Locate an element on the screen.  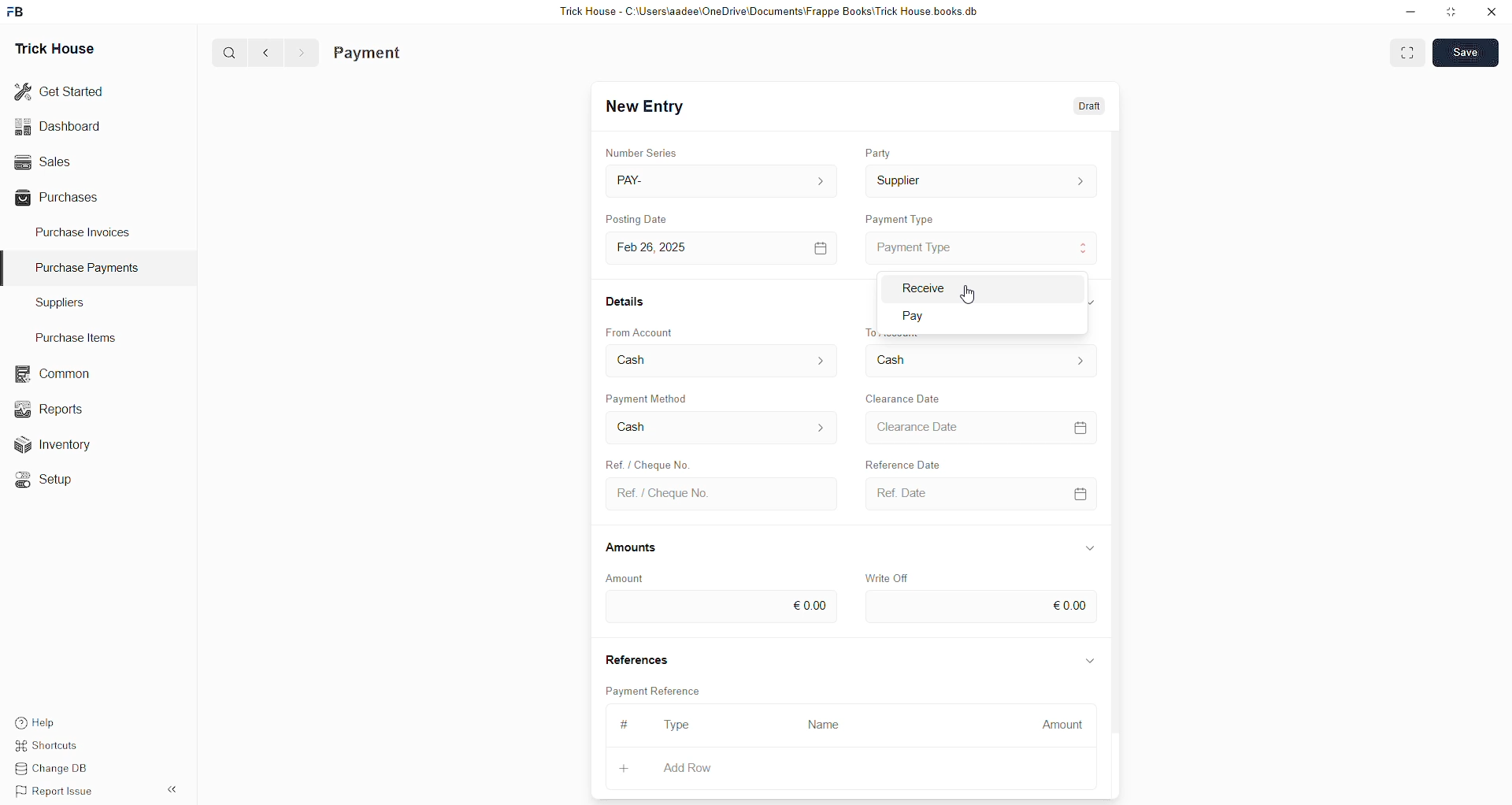
Cash is located at coordinates (719, 429).